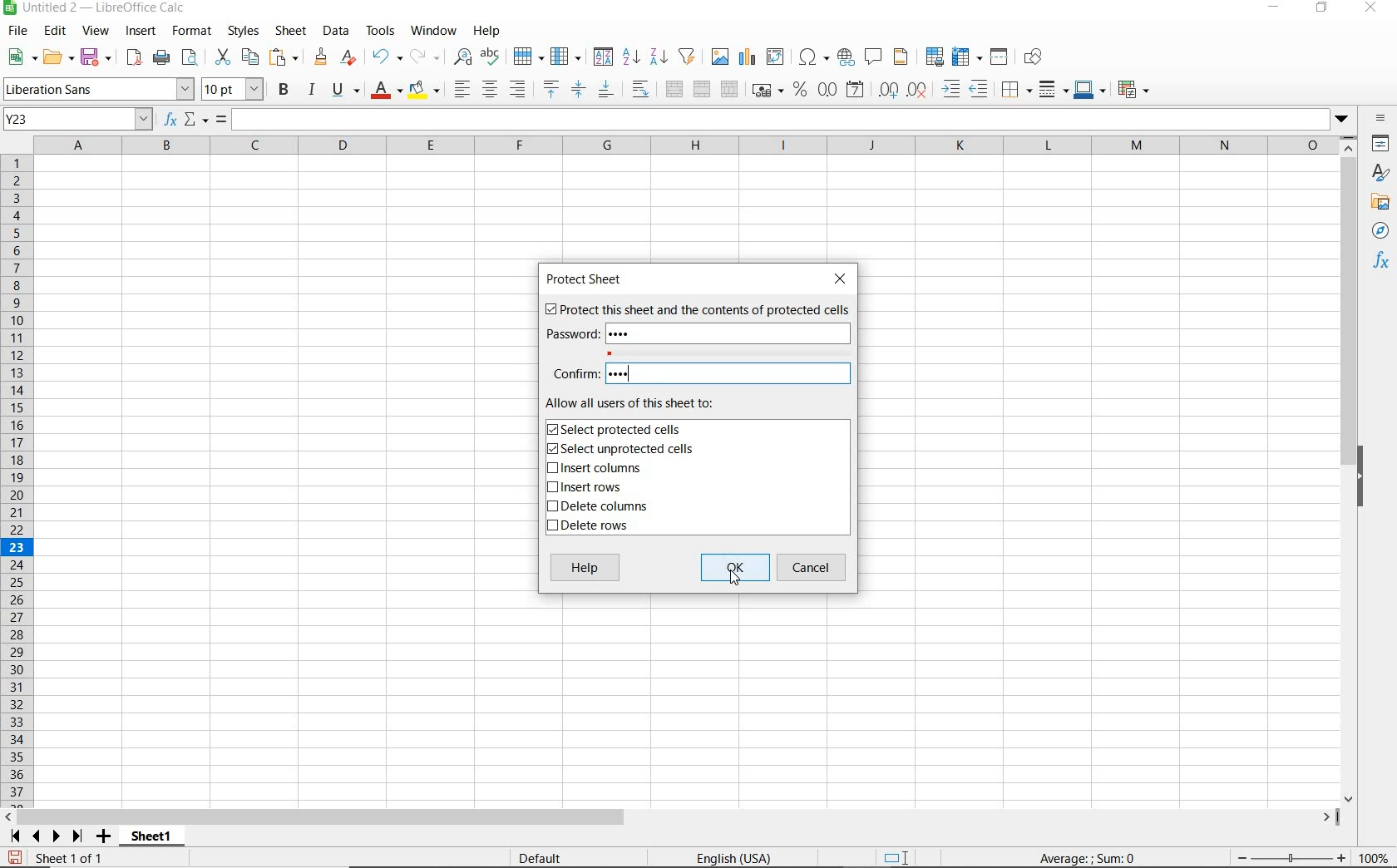 This screenshot has width=1397, height=868. I want to click on FREEZE ROWS AND COLUMNS, so click(969, 56).